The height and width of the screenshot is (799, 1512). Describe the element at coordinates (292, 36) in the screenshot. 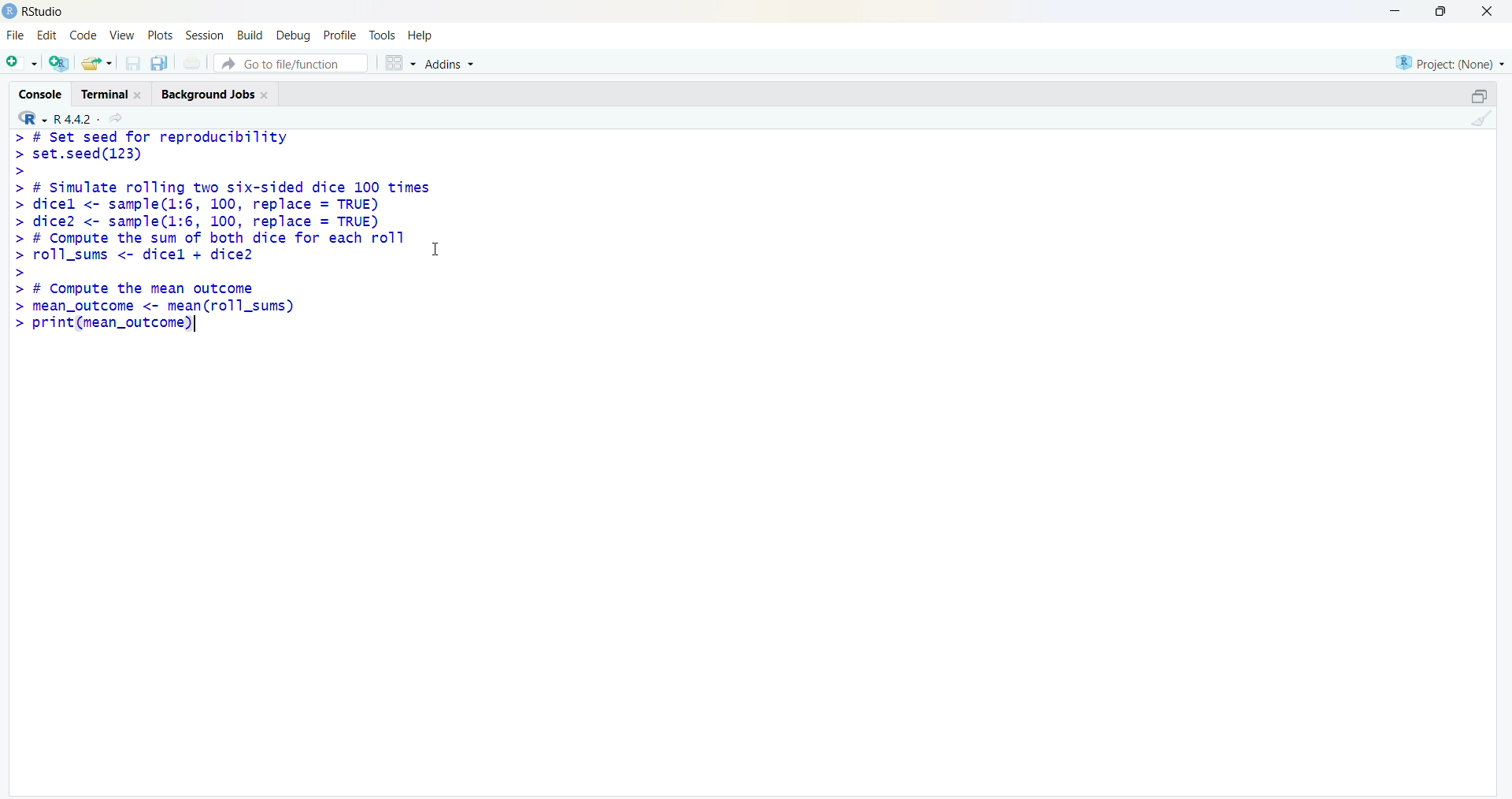

I see `debug` at that location.